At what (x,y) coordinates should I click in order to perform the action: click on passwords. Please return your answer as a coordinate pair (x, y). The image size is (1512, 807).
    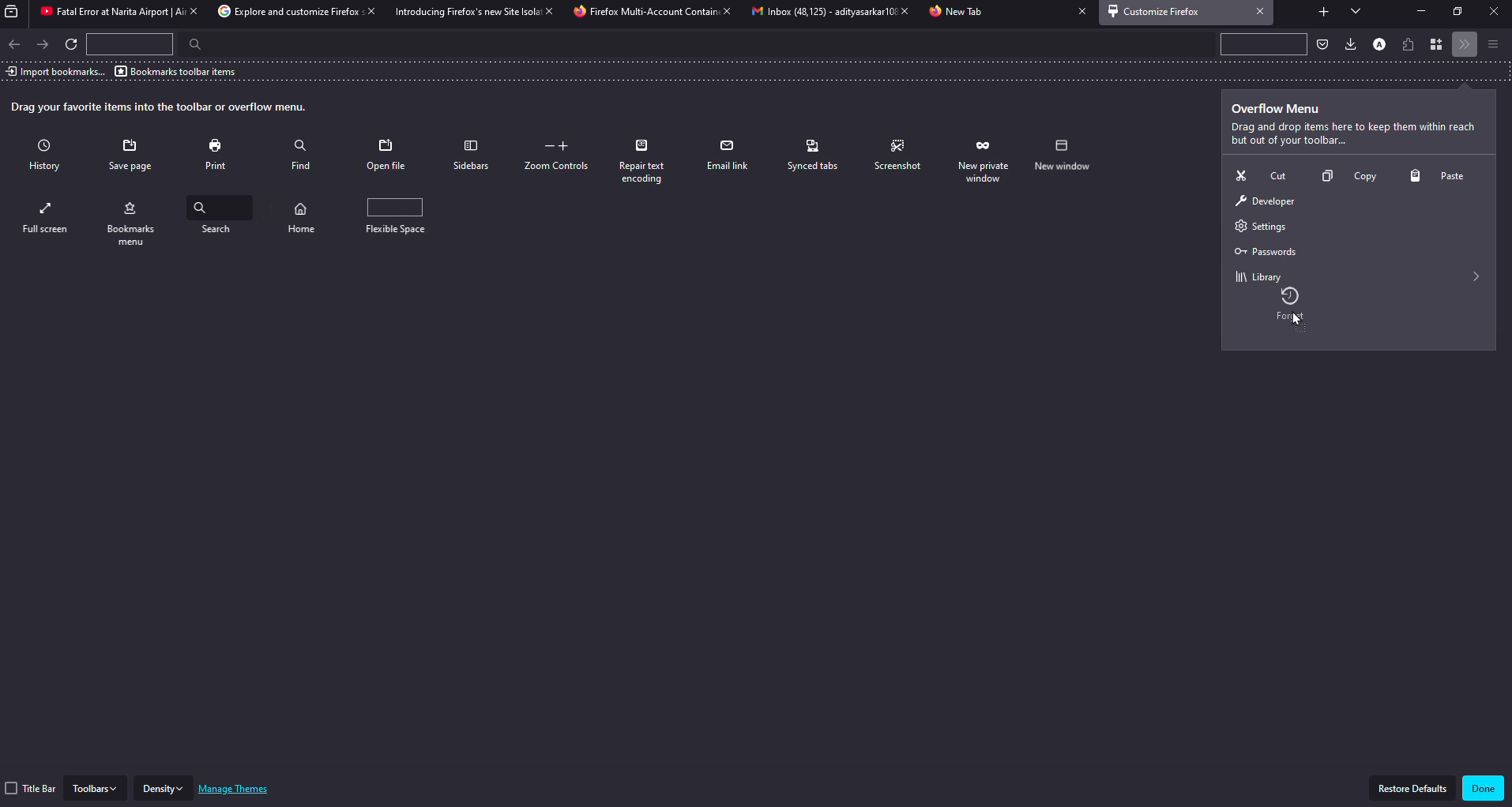
    Looking at the image, I should click on (1263, 252).